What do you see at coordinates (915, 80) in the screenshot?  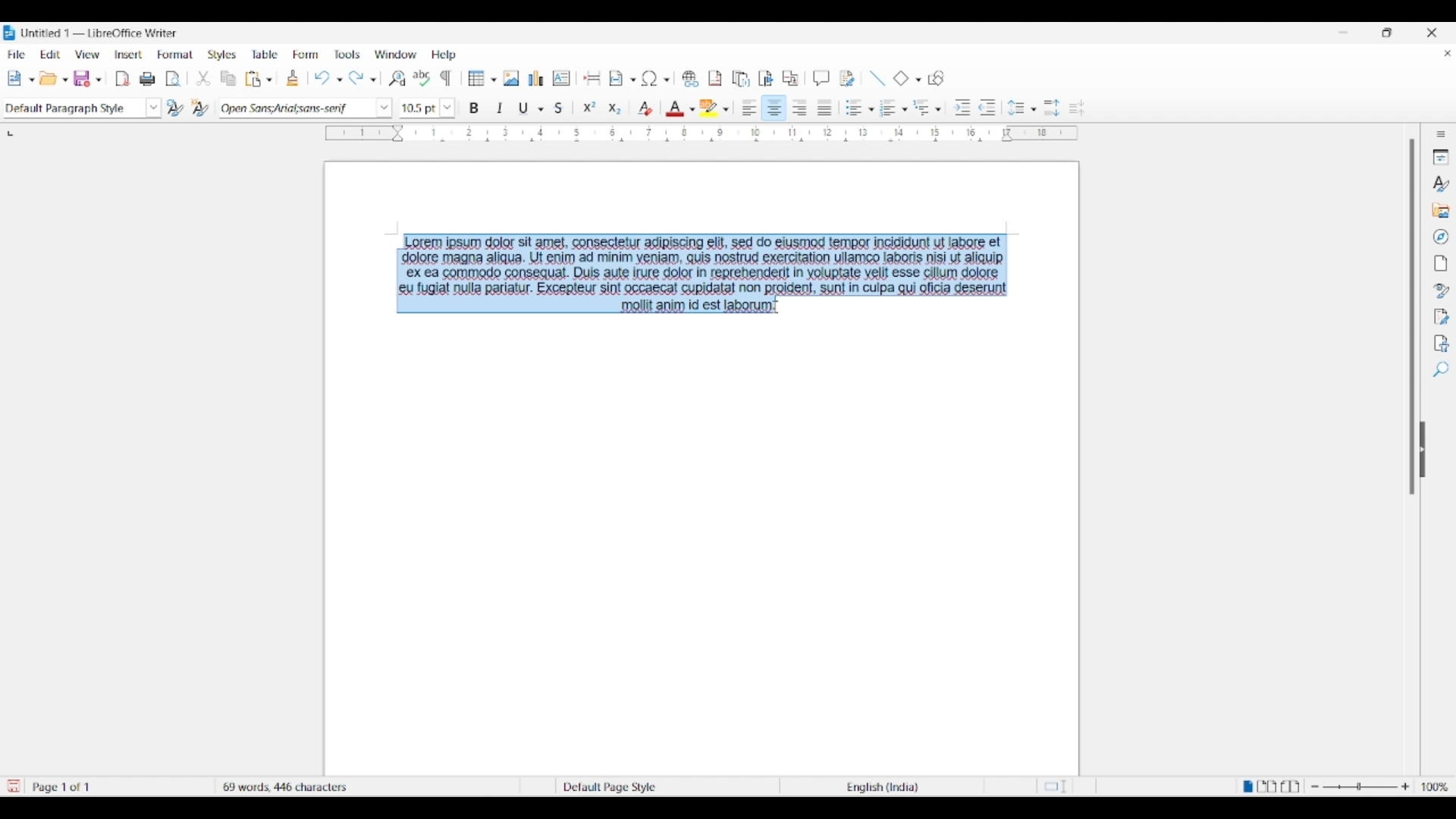 I see `Basic shape options` at bounding box center [915, 80].